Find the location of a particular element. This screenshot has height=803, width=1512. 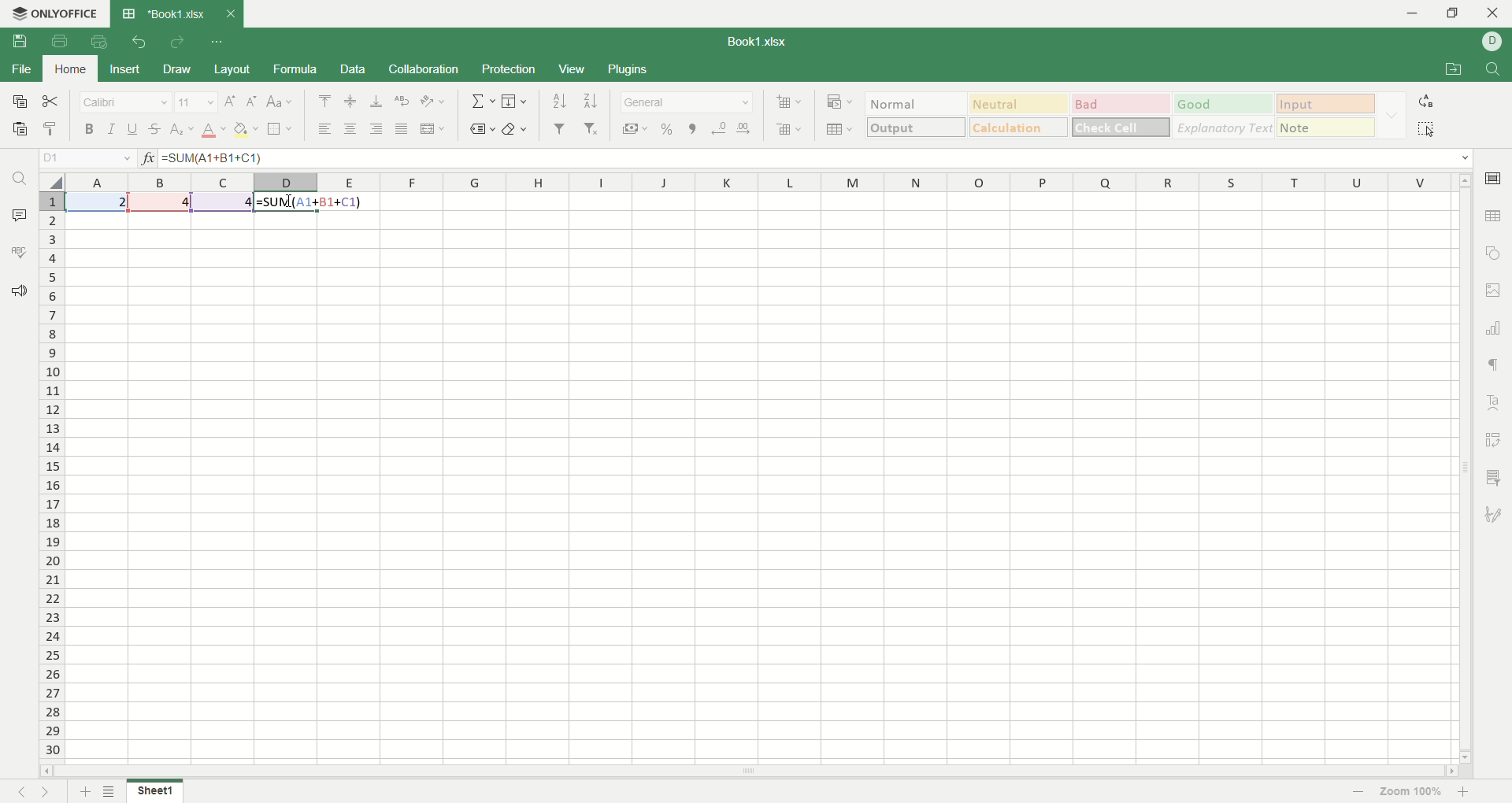

align top is located at coordinates (327, 99).